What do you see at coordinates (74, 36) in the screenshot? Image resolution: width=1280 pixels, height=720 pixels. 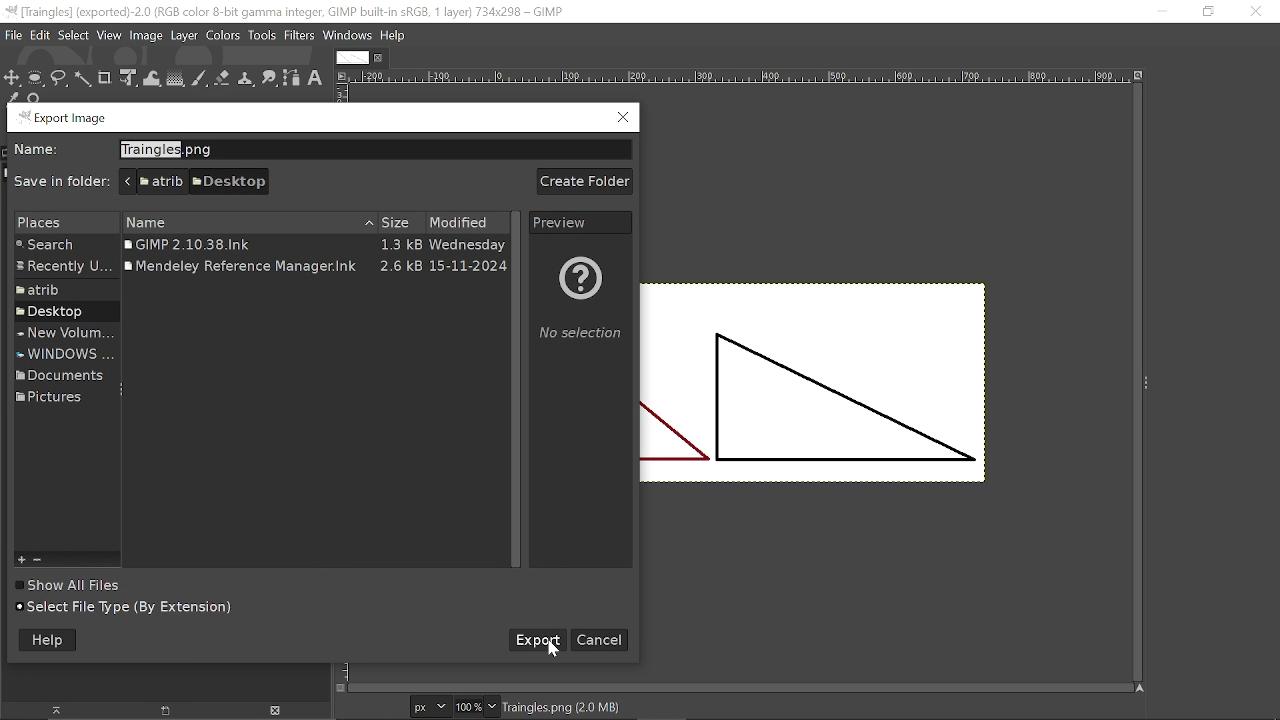 I see `Select` at bounding box center [74, 36].